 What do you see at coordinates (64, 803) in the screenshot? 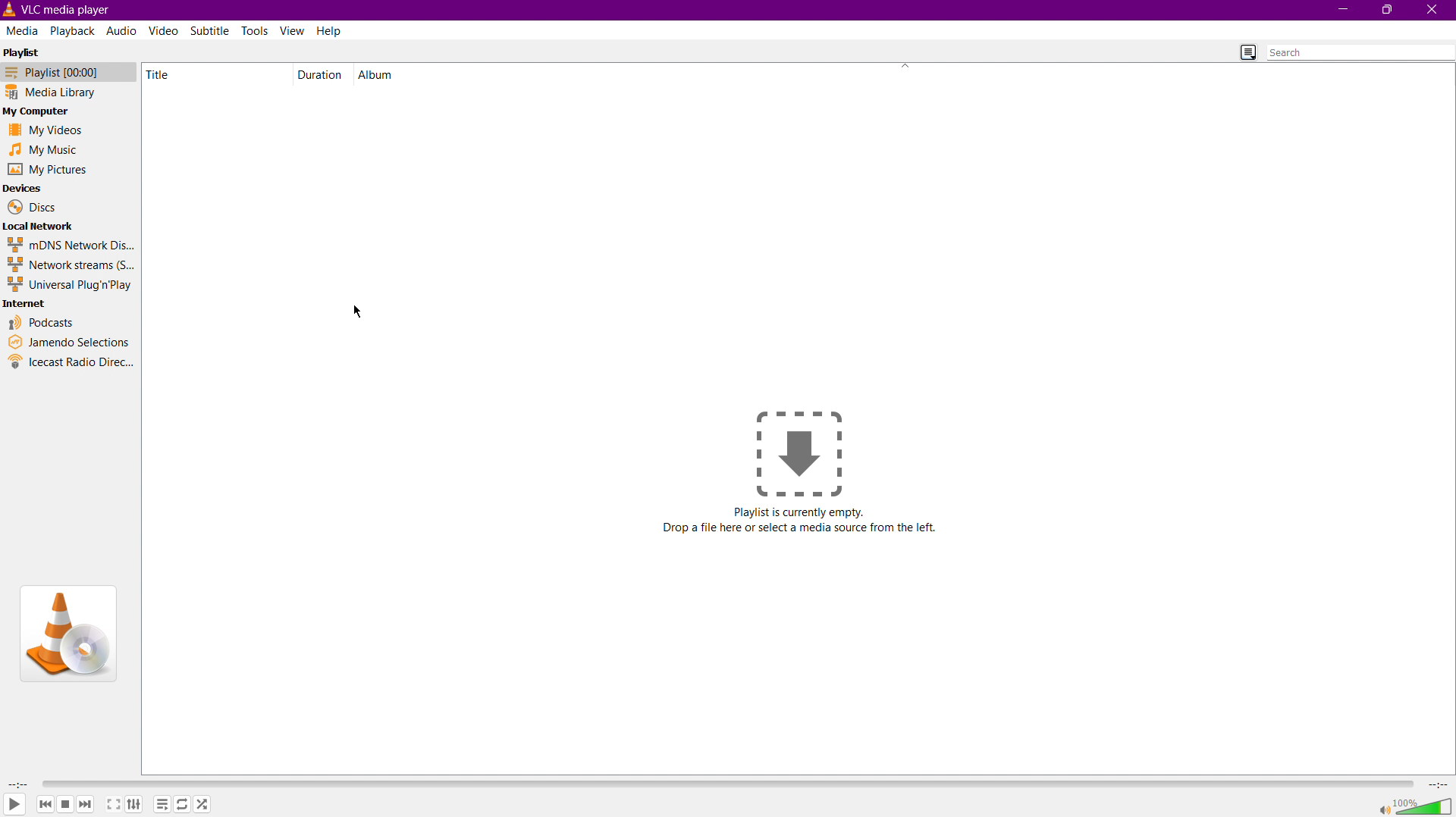
I see `Stop` at bounding box center [64, 803].